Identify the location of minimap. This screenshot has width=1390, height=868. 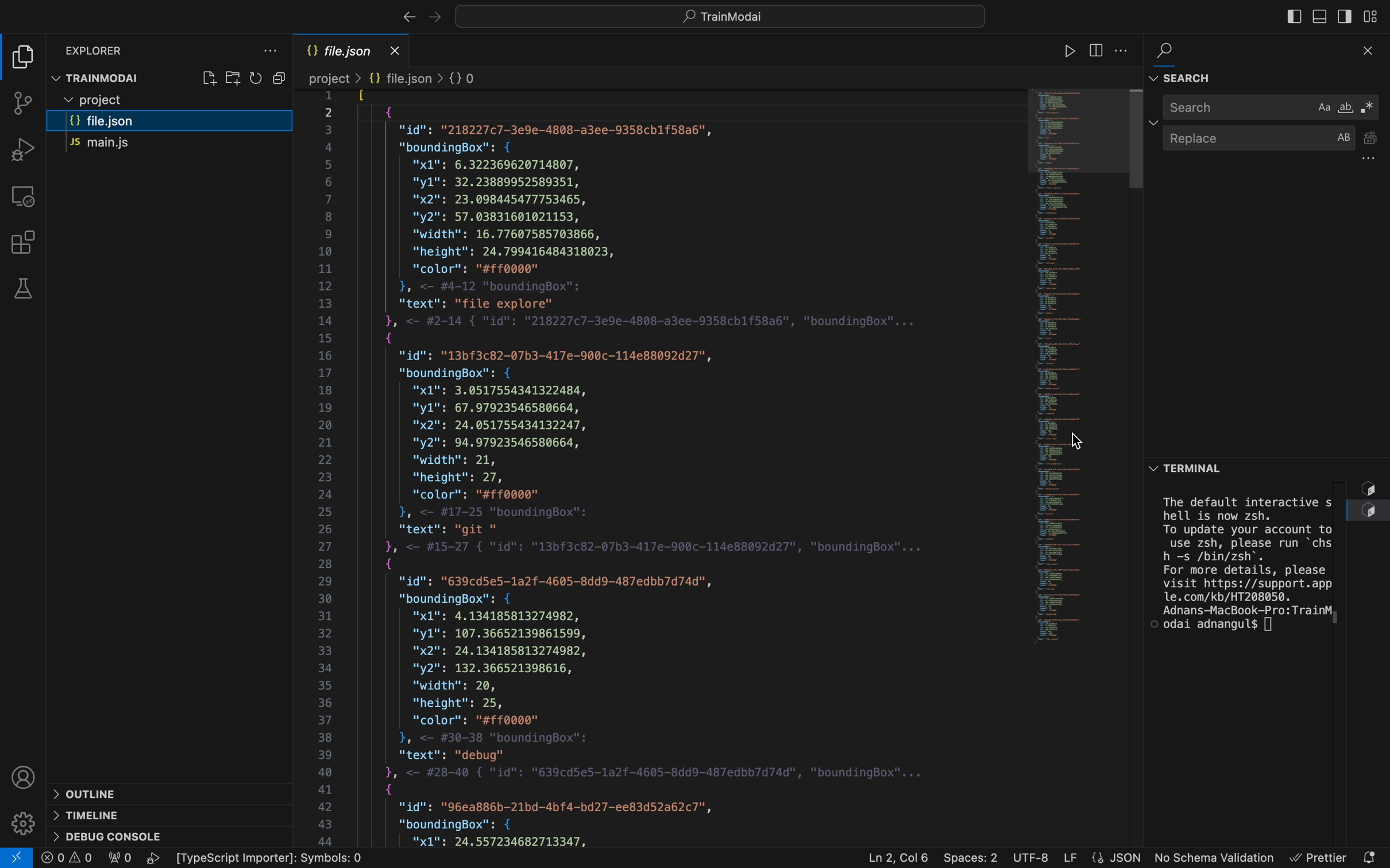
(1091, 369).